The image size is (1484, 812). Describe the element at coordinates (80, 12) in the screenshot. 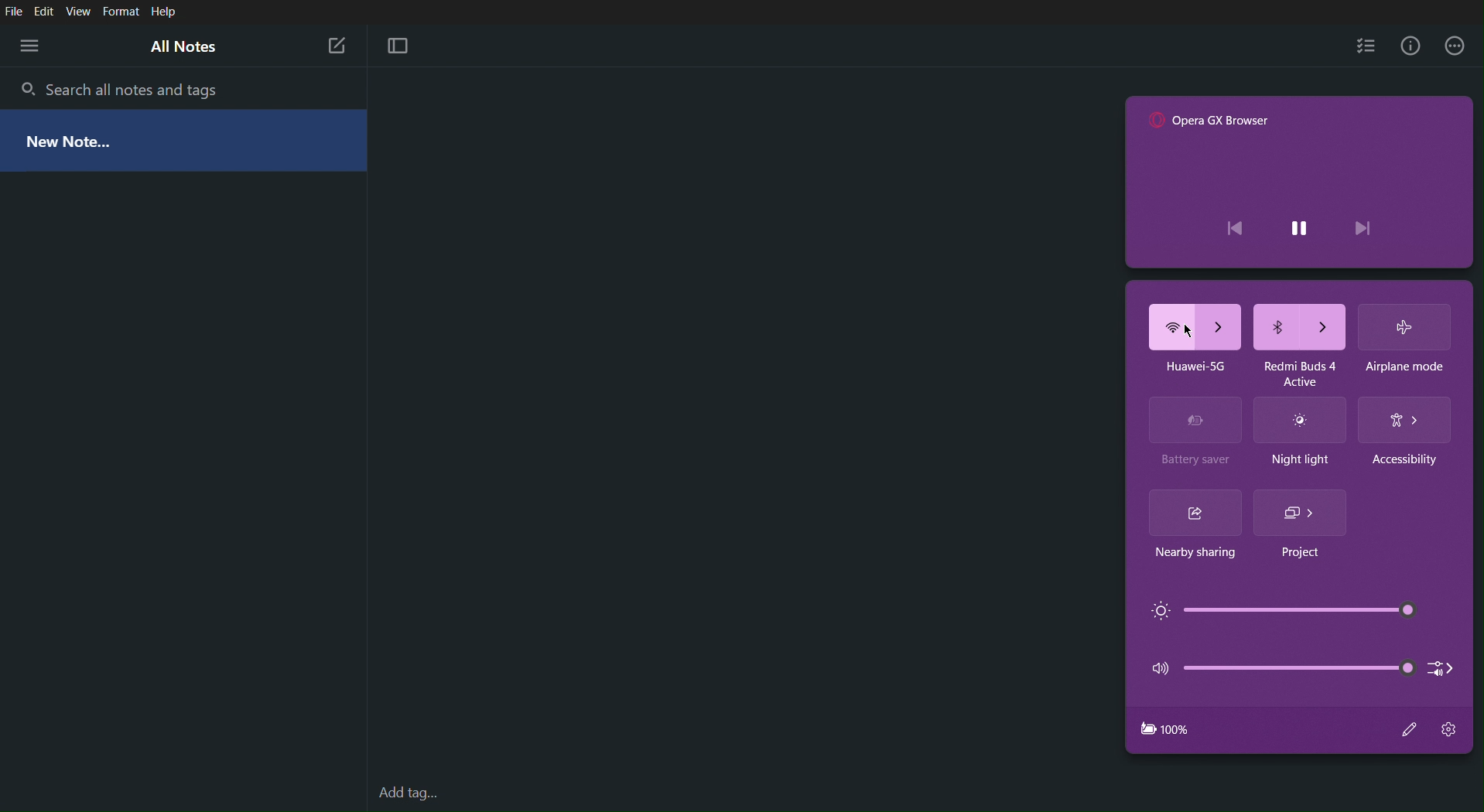

I see `View` at that location.